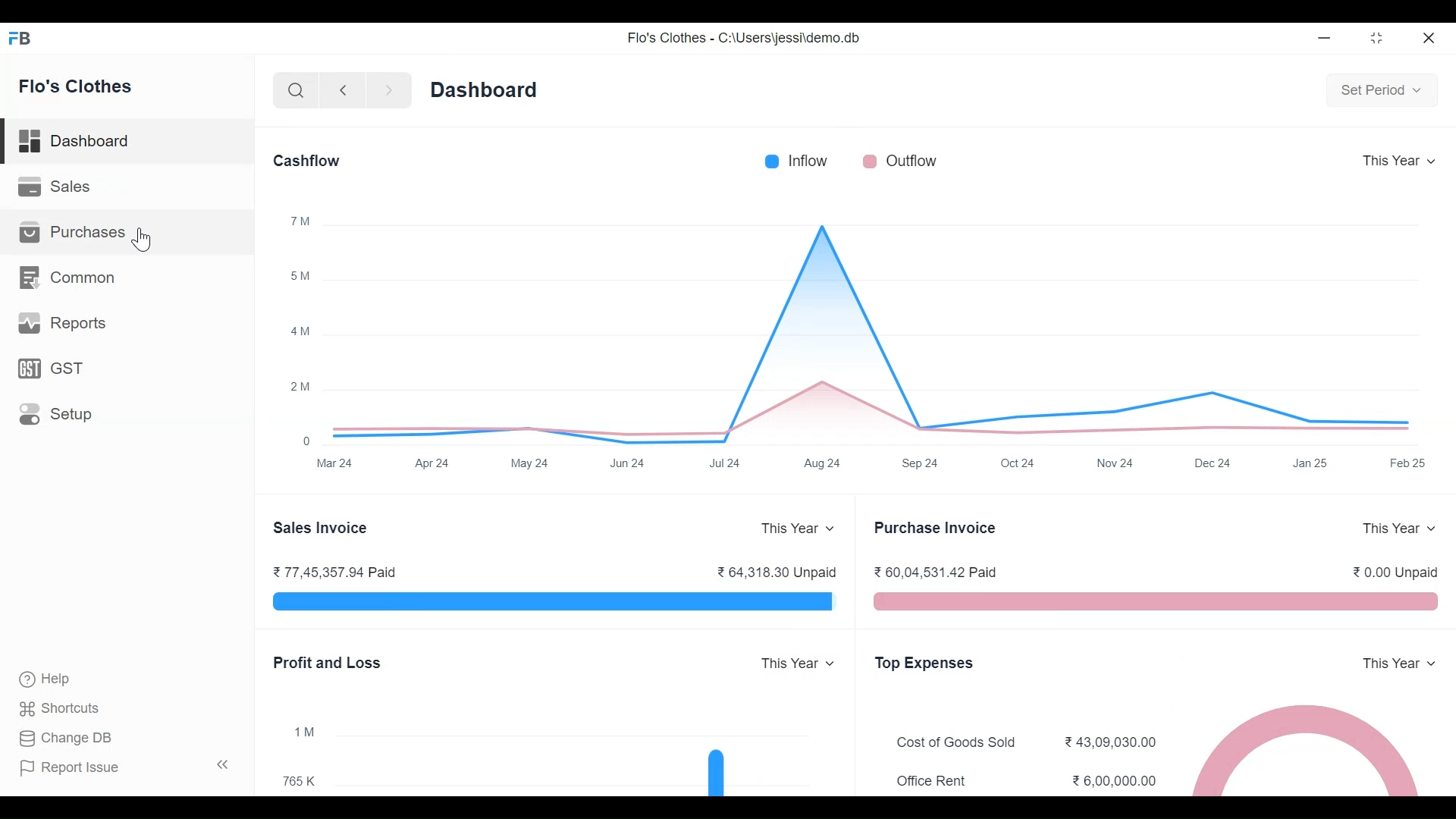  I want to click on Jul 24, so click(726, 463).